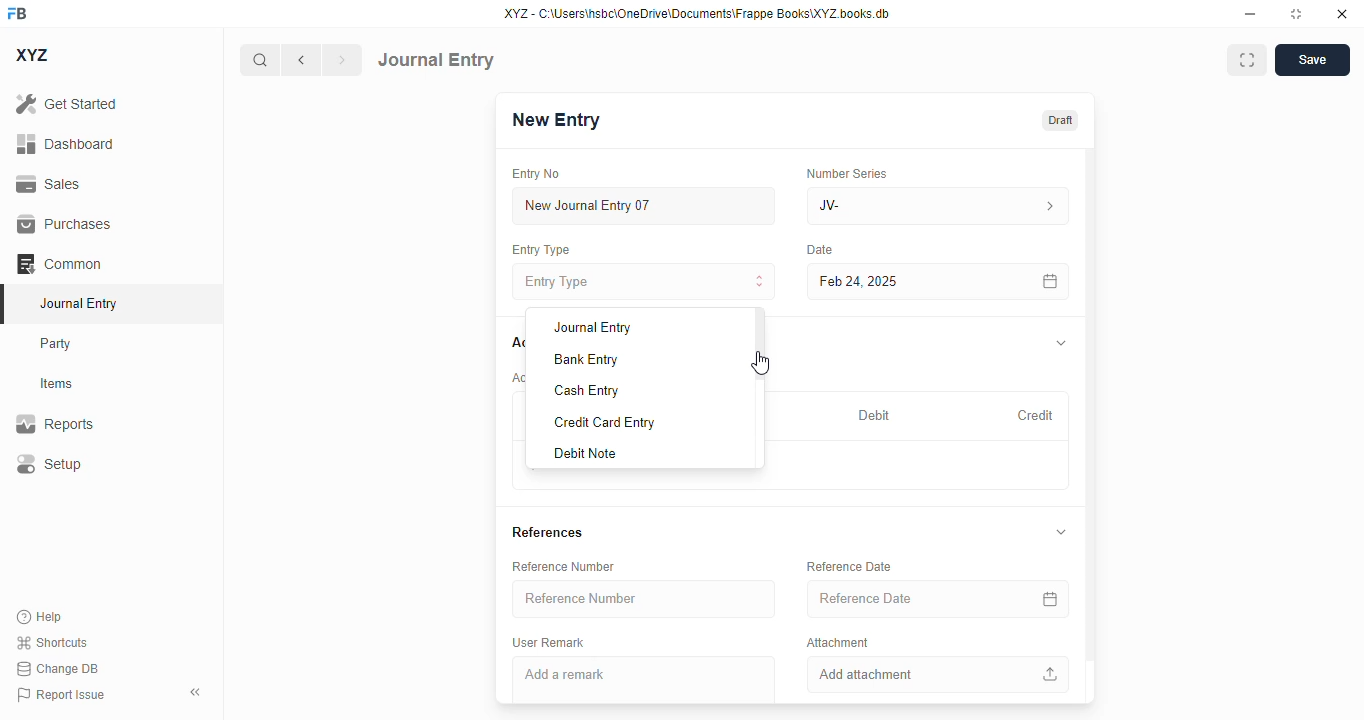  Describe the element at coordinates (301, 60) in the screenshot. I see `previous` at that location.